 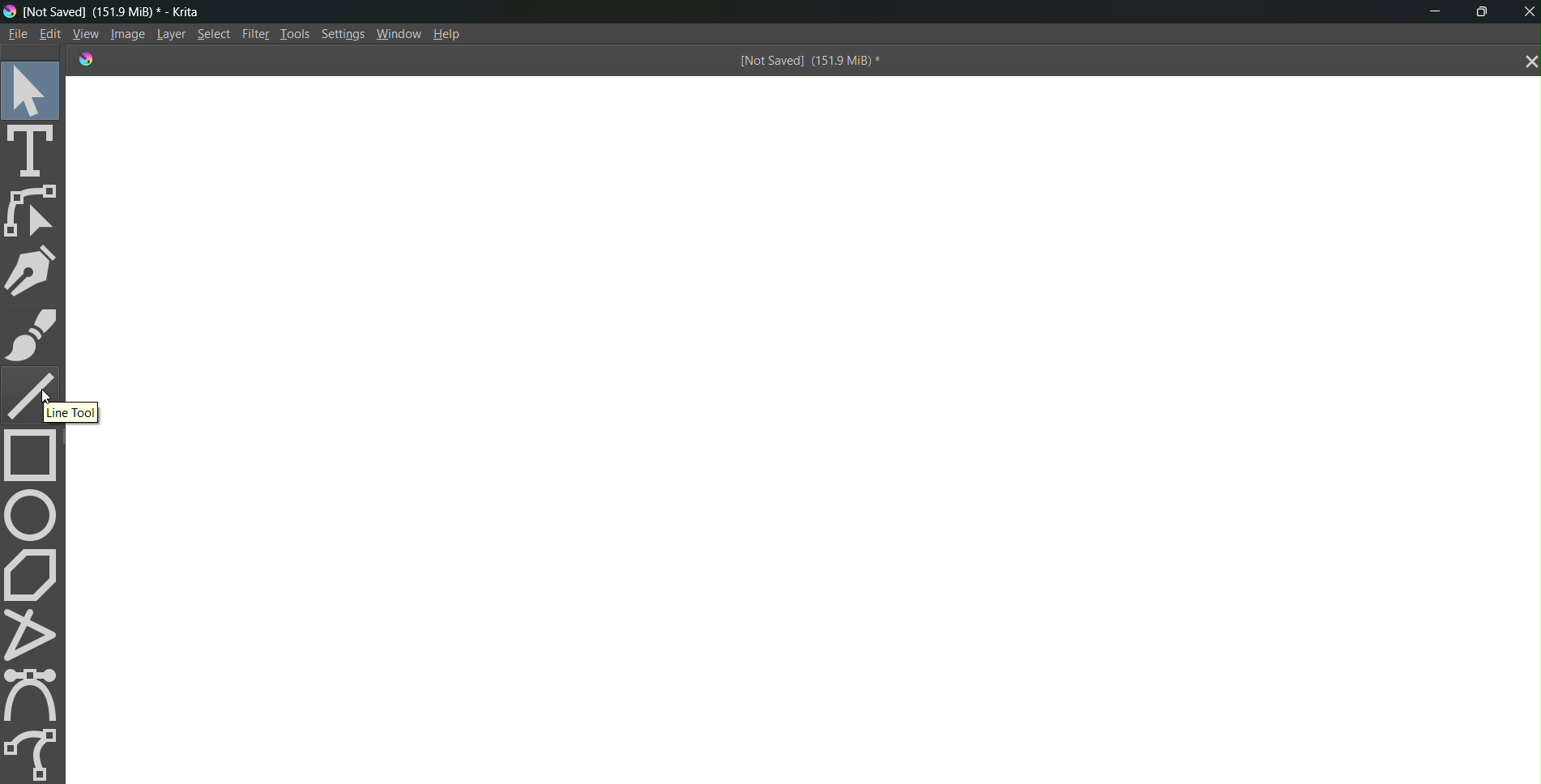 What do you see at coordinates (214, 35) in the screenshot?
I see `Select` at bounding box center [214, 35].